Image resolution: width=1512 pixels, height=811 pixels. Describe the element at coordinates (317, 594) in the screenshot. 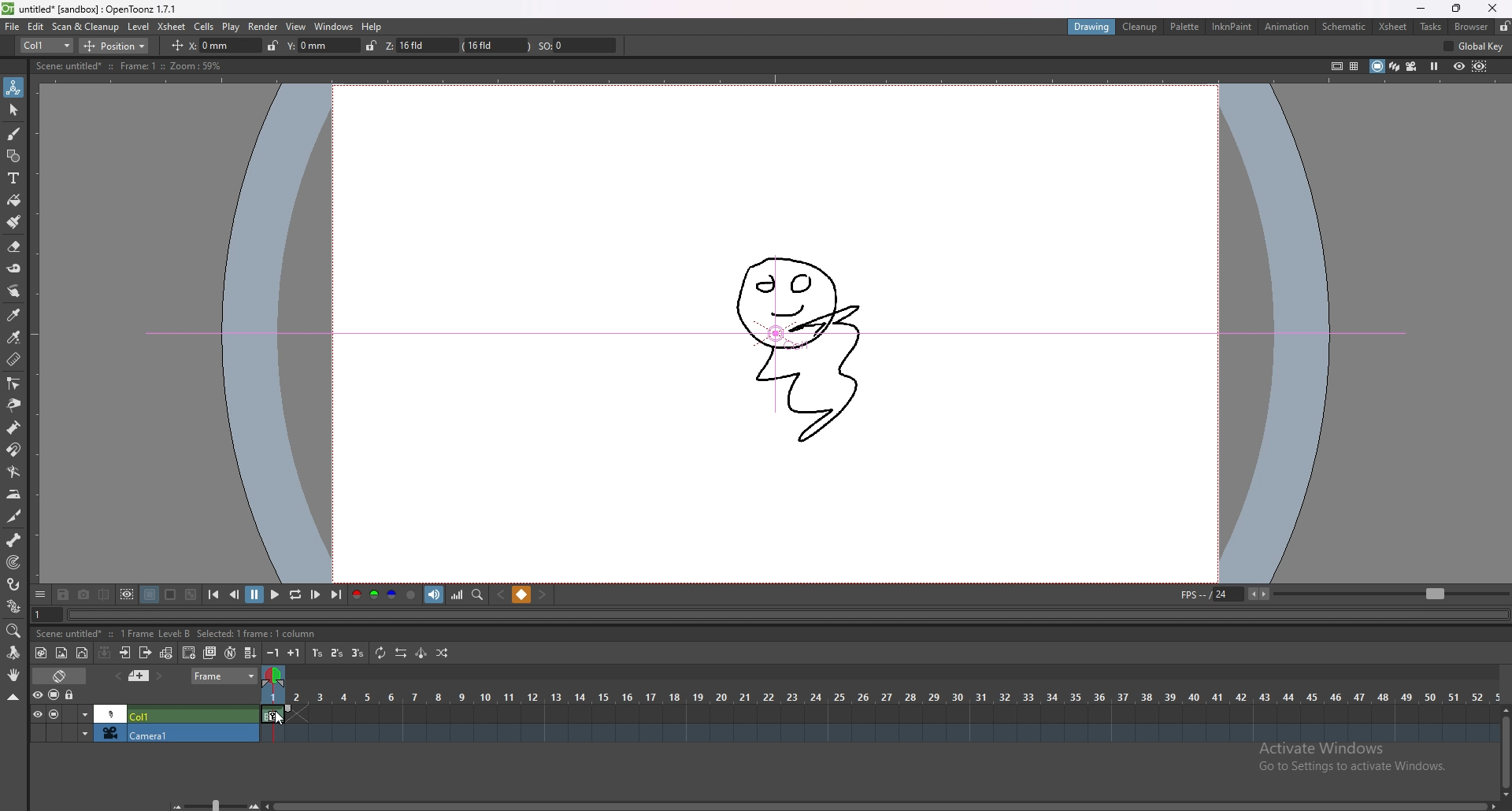

I see `next frame` at that location.